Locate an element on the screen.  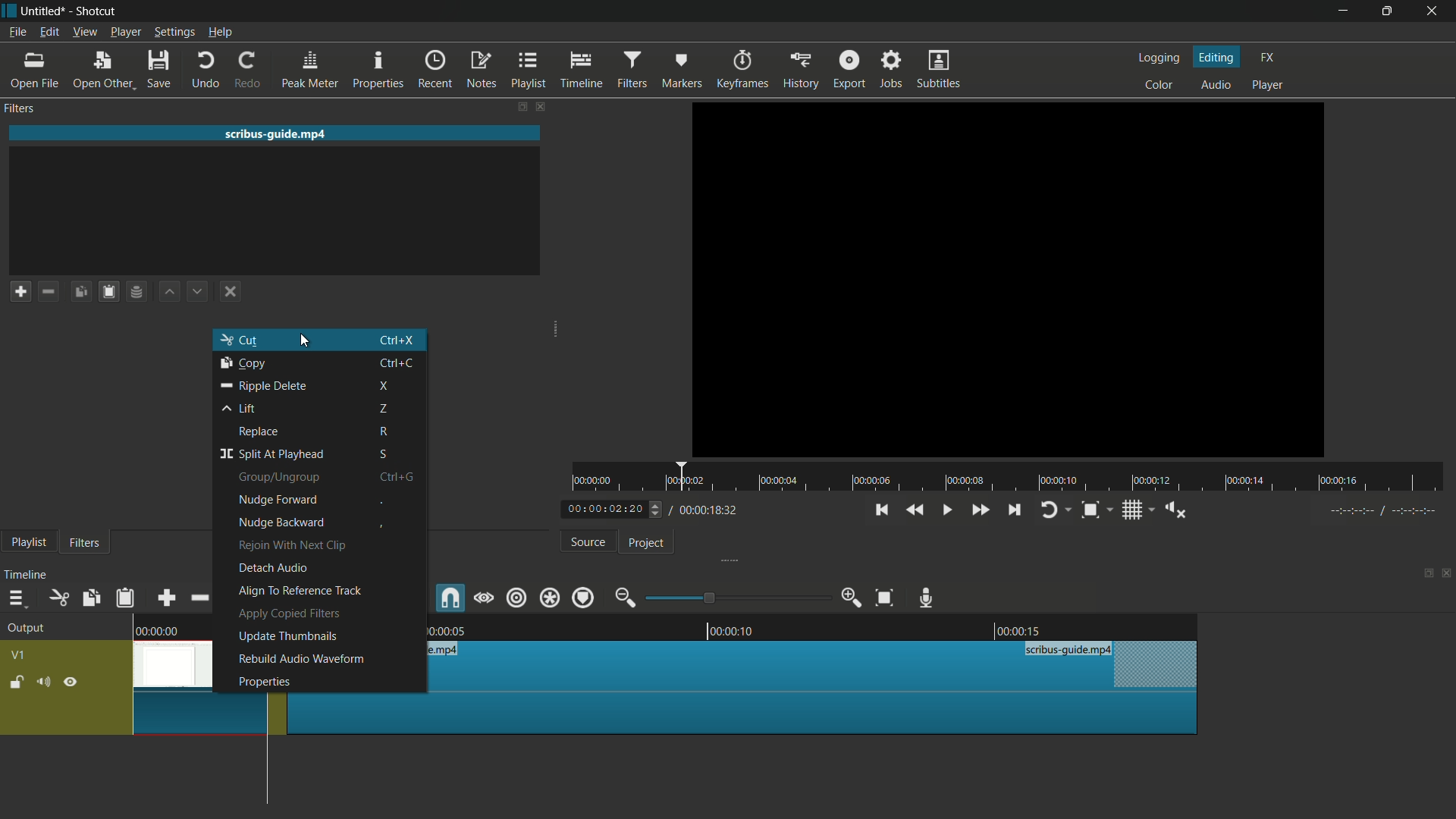
project is located at coordinates (645, 543).